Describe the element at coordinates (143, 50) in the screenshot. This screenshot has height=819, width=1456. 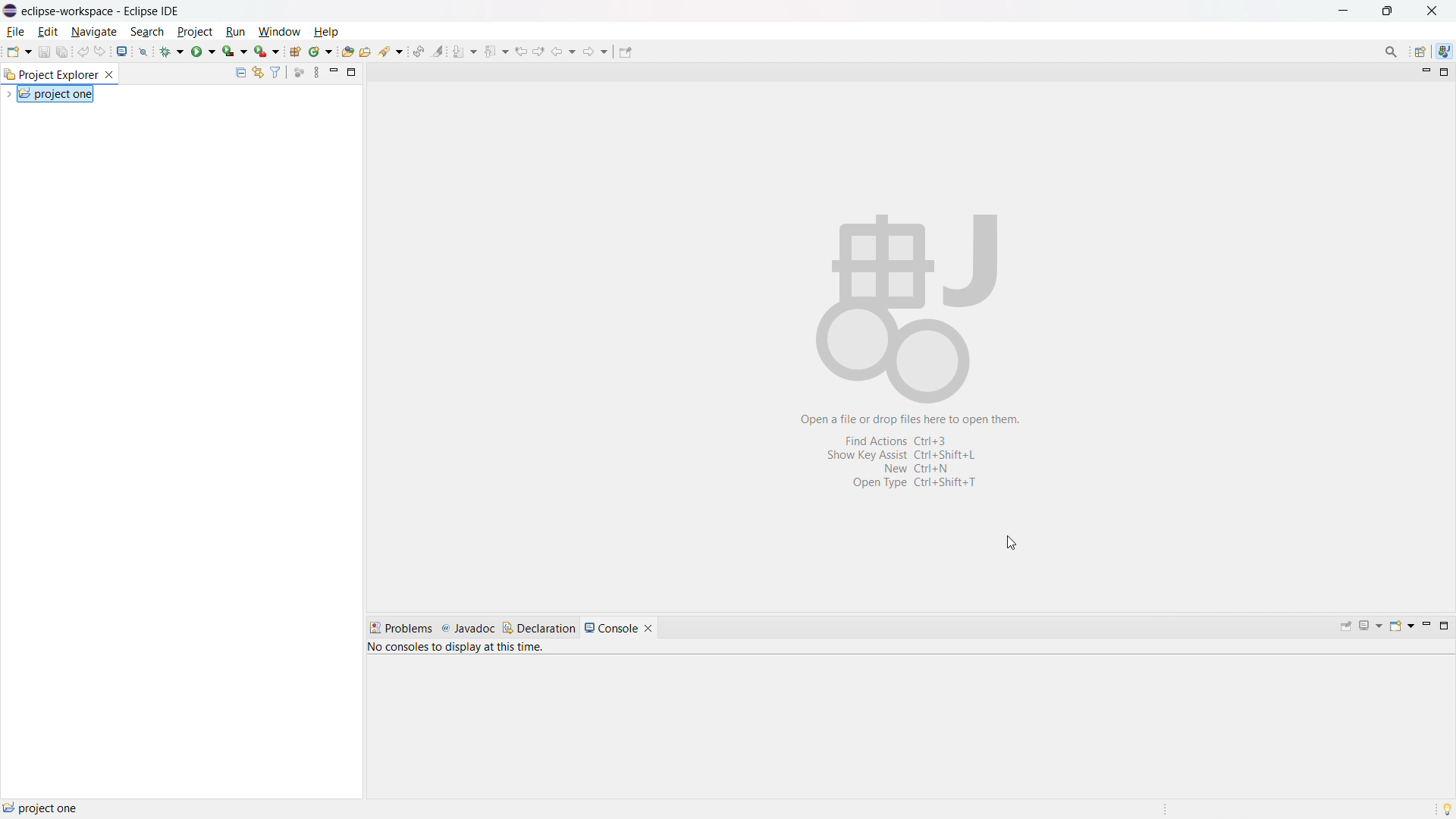
I see `skip all breakpoint` at that location.